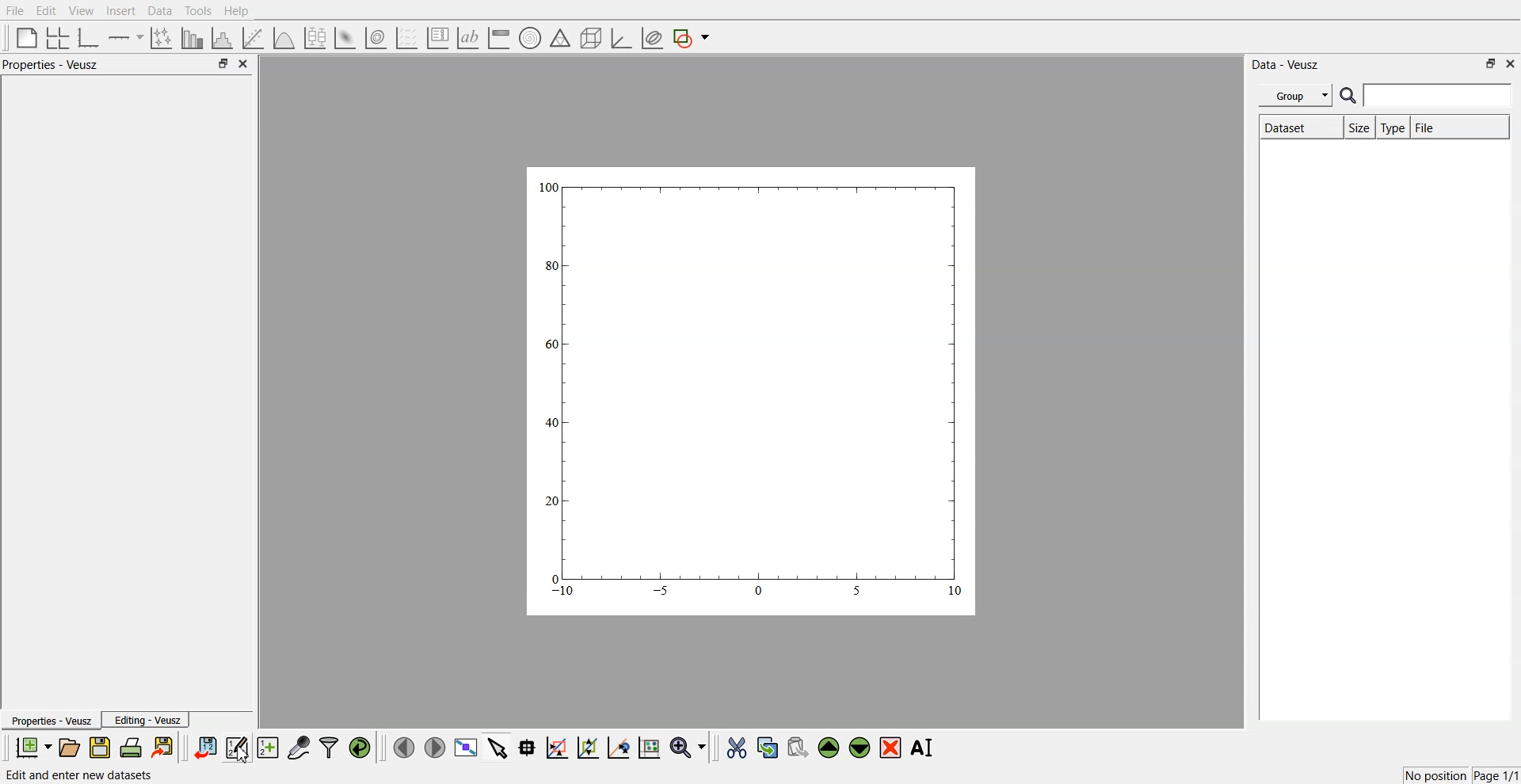 The height and width of the screenshot is (784, 1521). What do you see at coordinates (860, 746) in the screenshot?
I see `move  the selected widgets down` at bounding box center [860, 746].